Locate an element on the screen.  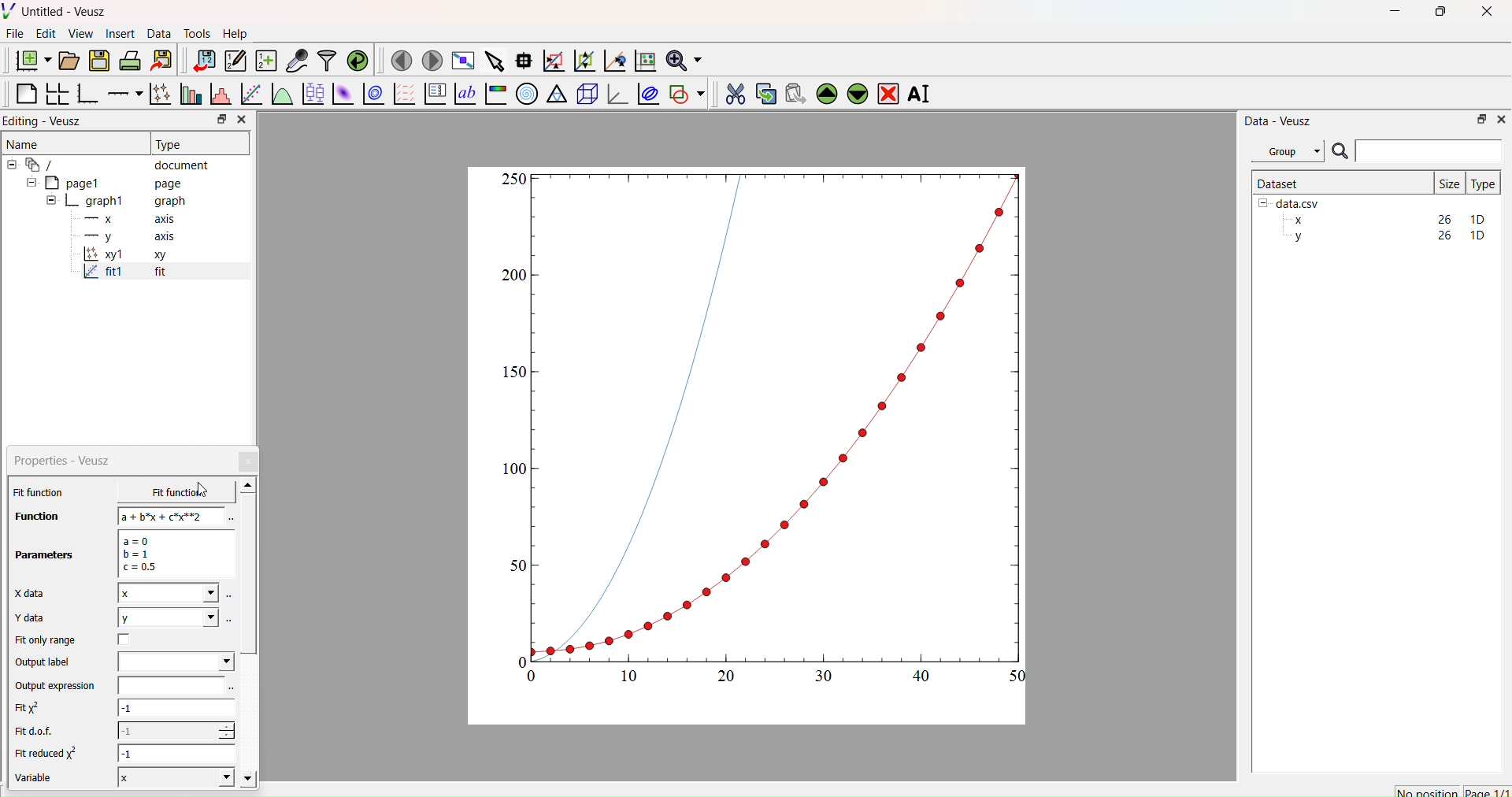
Fit dof. is located at coordinates (38, 732).